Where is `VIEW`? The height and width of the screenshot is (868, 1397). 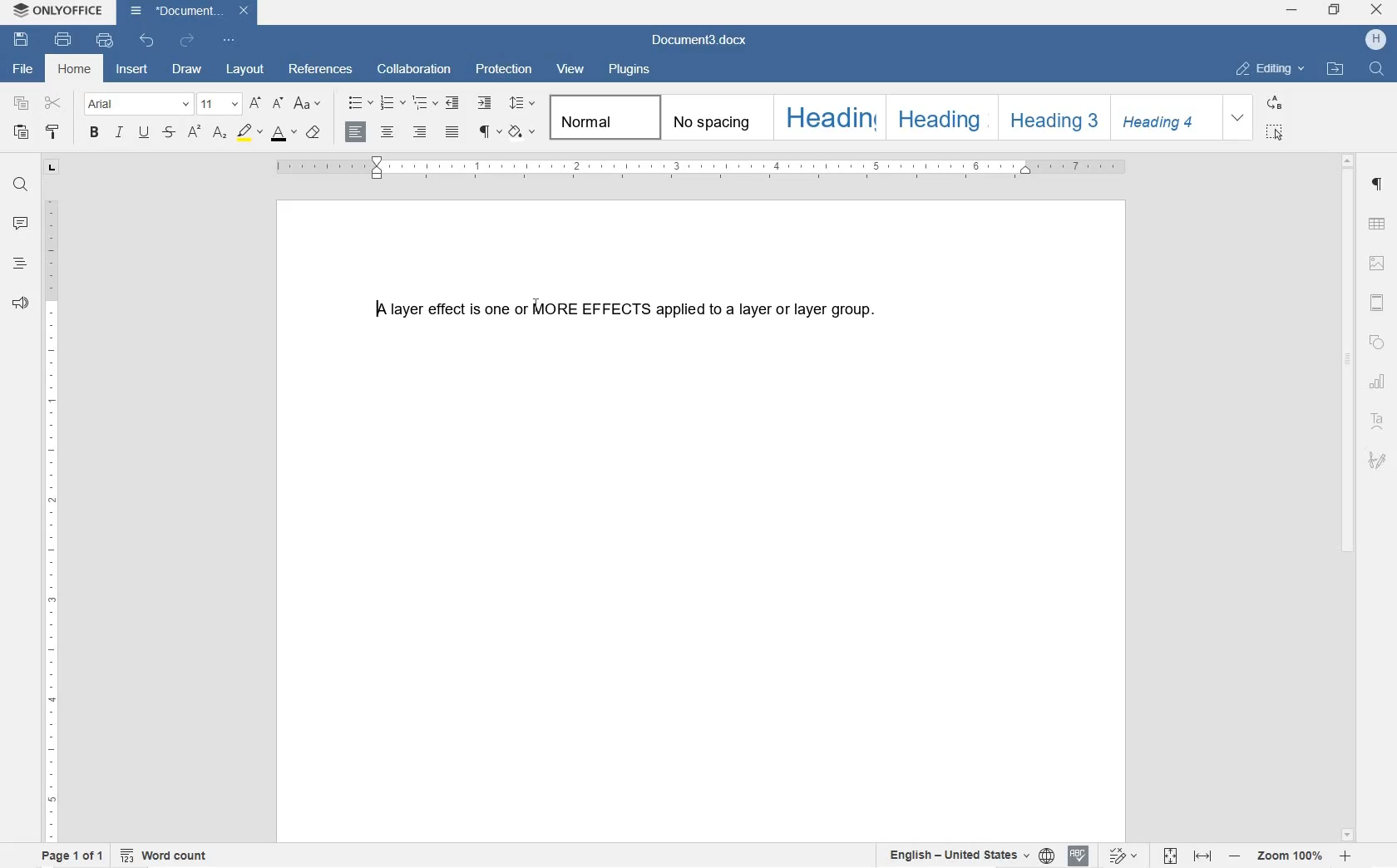 VIEW is located at coordinates (570, 70).